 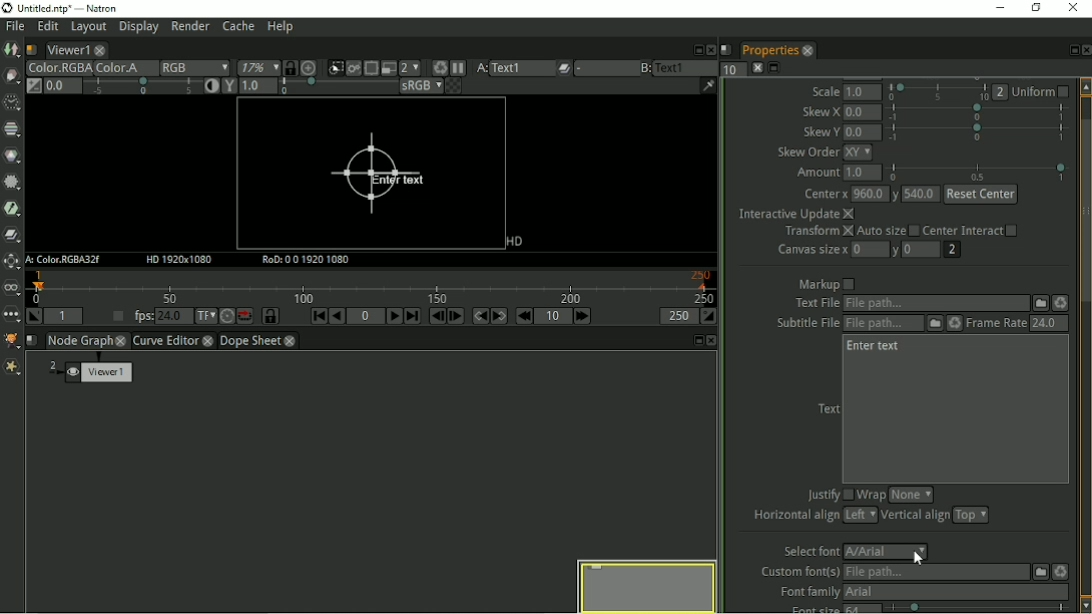 I want to click on Skew X, so click(x=821, y=111).